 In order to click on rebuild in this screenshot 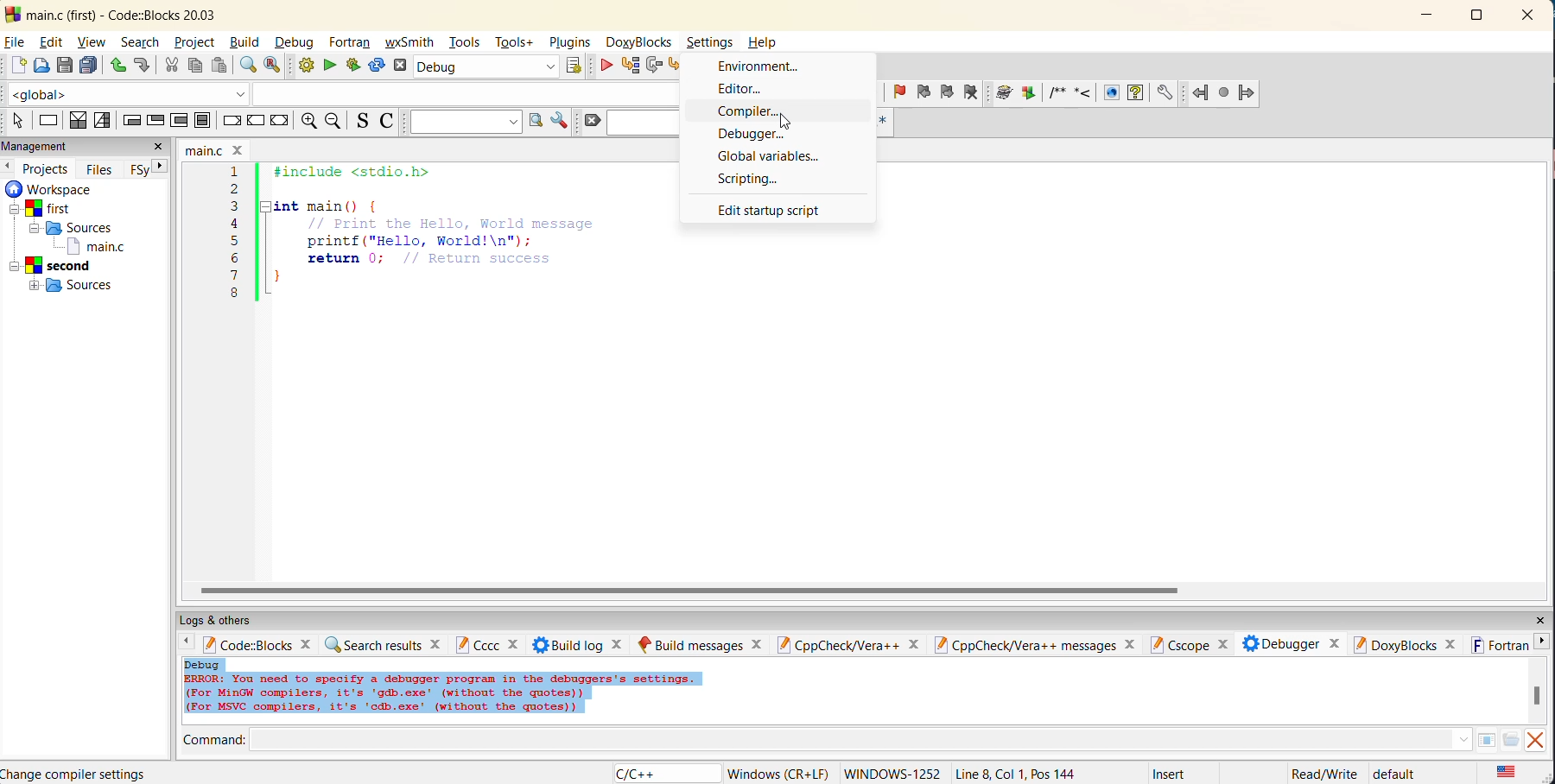, I will do `click(378, 66)`.